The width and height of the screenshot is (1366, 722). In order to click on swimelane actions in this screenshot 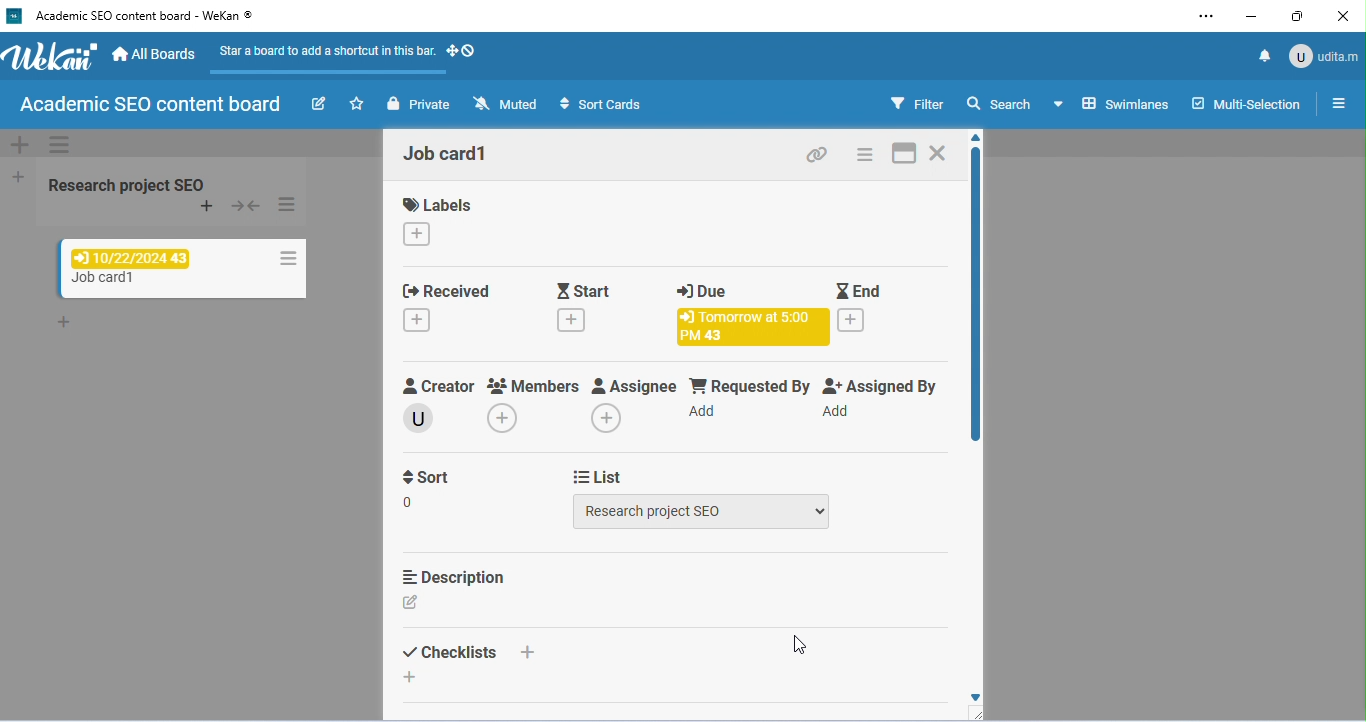, I will do `click(60, 146)`.